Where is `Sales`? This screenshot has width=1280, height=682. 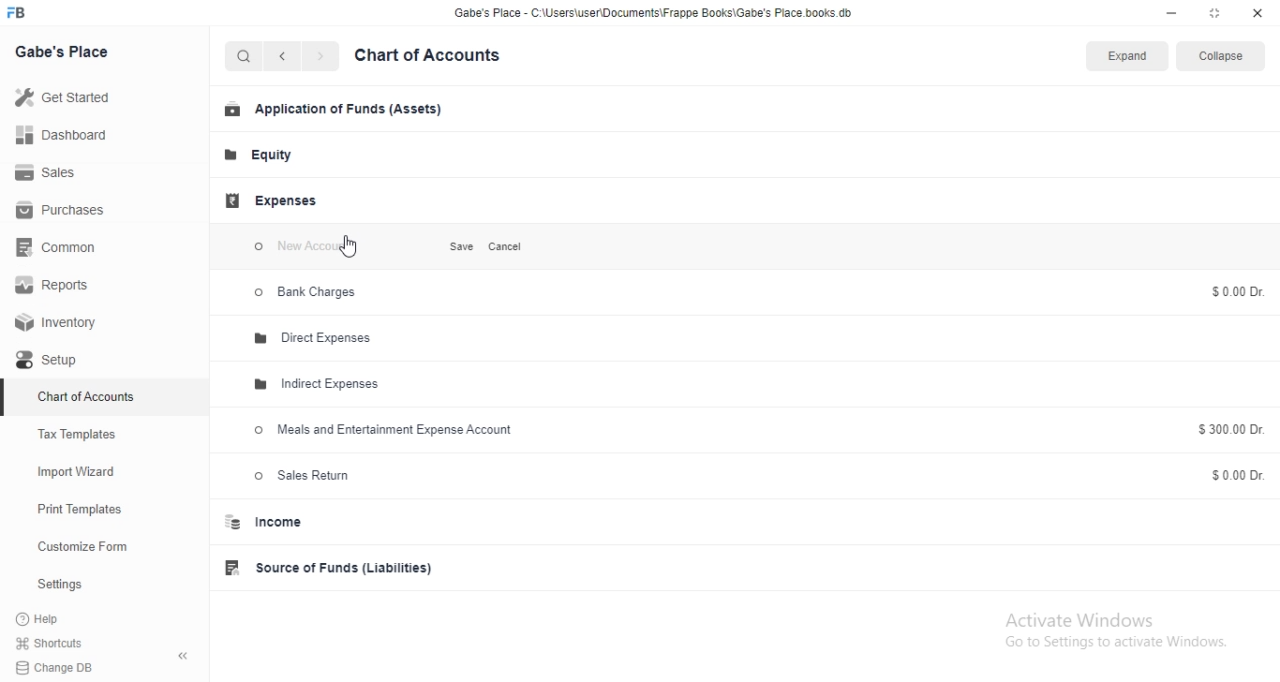
Sales is located at coordinates (50, 173).